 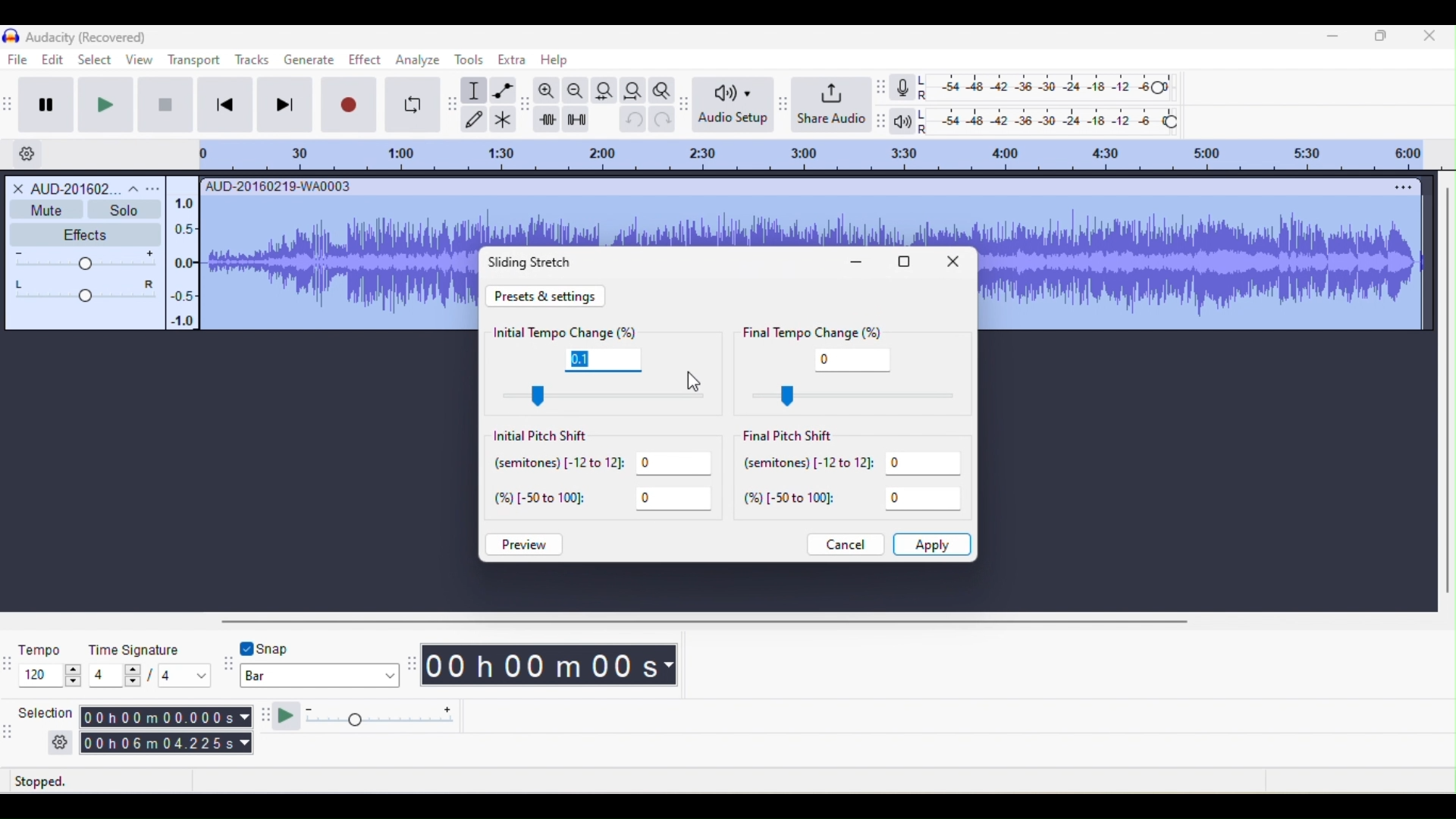 What do you see at coordinates (604, 466) in the screenshot?
I see `semitones` at bounding box center [604, 466].